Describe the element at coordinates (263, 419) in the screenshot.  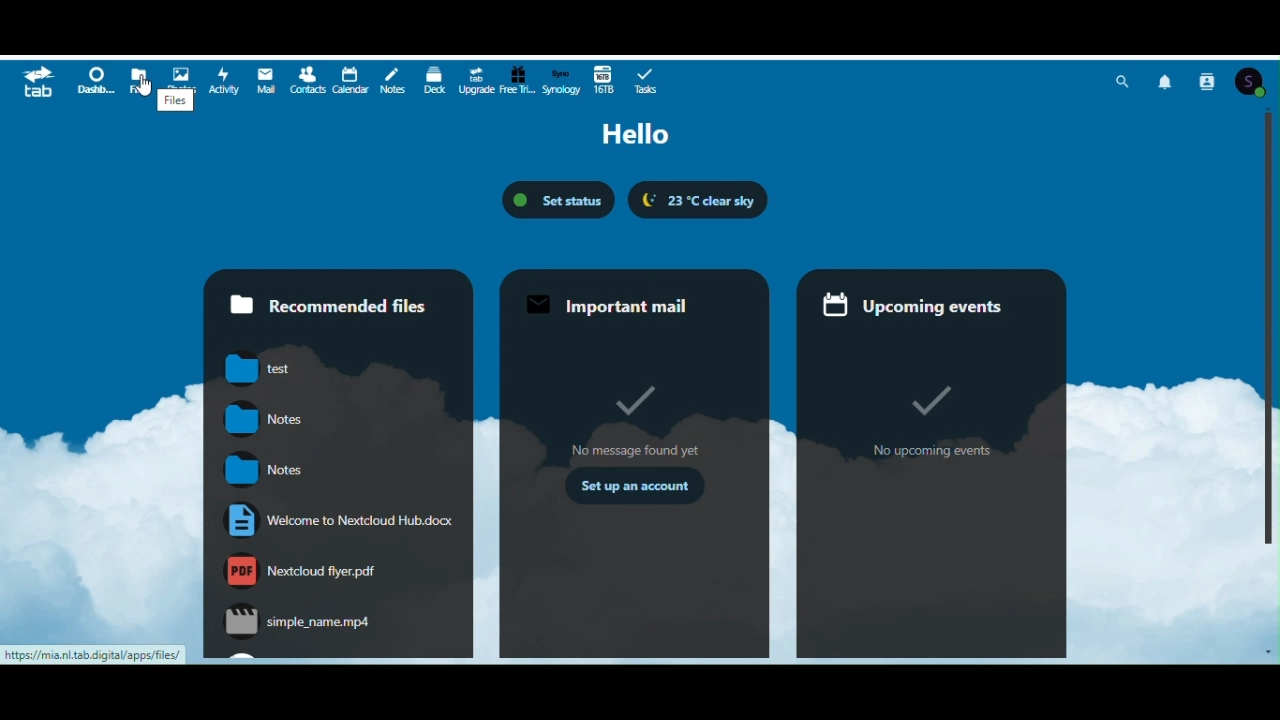
I see `notes` at that location.